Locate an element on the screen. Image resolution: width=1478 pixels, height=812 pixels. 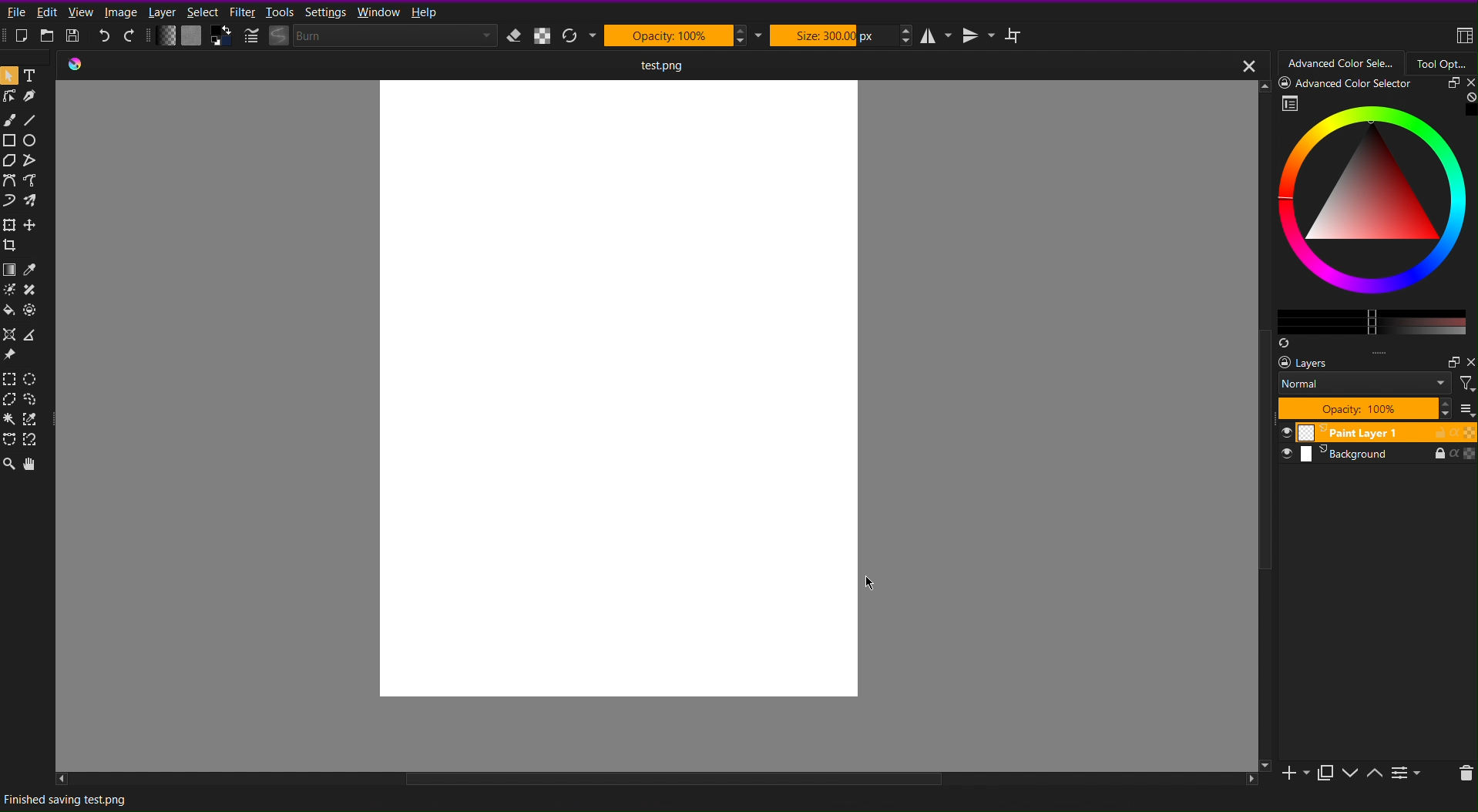
Refresh is located at coordinates (575, 35).